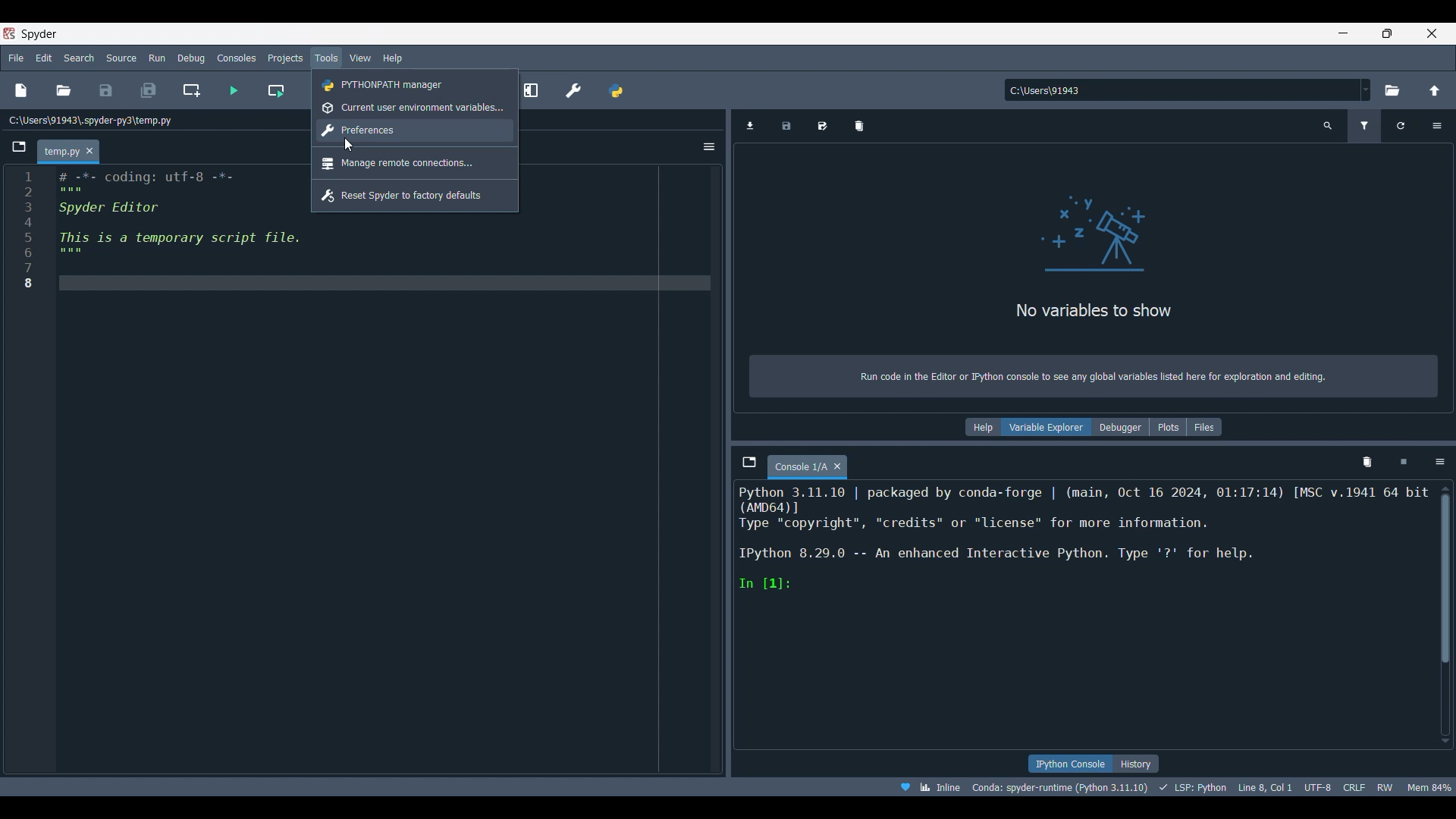 Image resolution: width=1456 pixels, height=819 pixels. I want to click on Browse tabs, so click(748, 463).